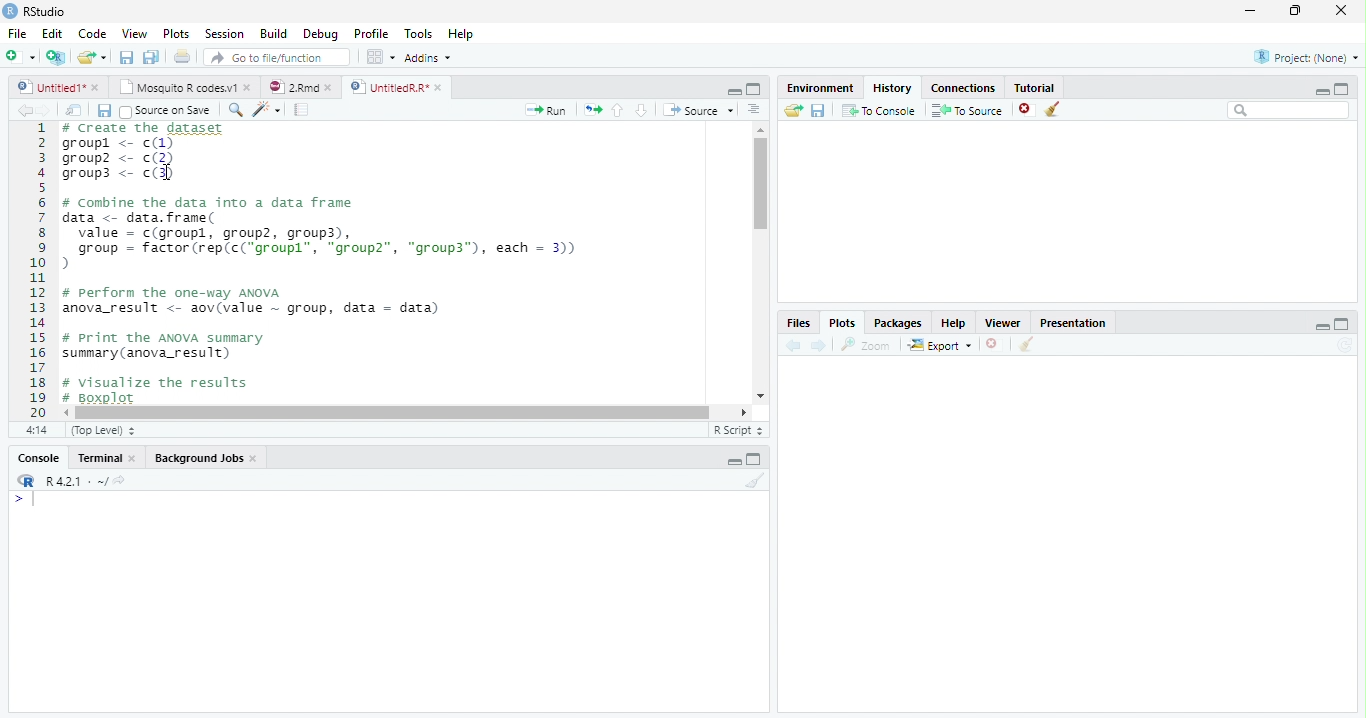 This screenshot has height=718, width=1366. What do you see at coordinates (59, 87) in the screenshot?
I see `Untitled` at bounding box center [59, 87].